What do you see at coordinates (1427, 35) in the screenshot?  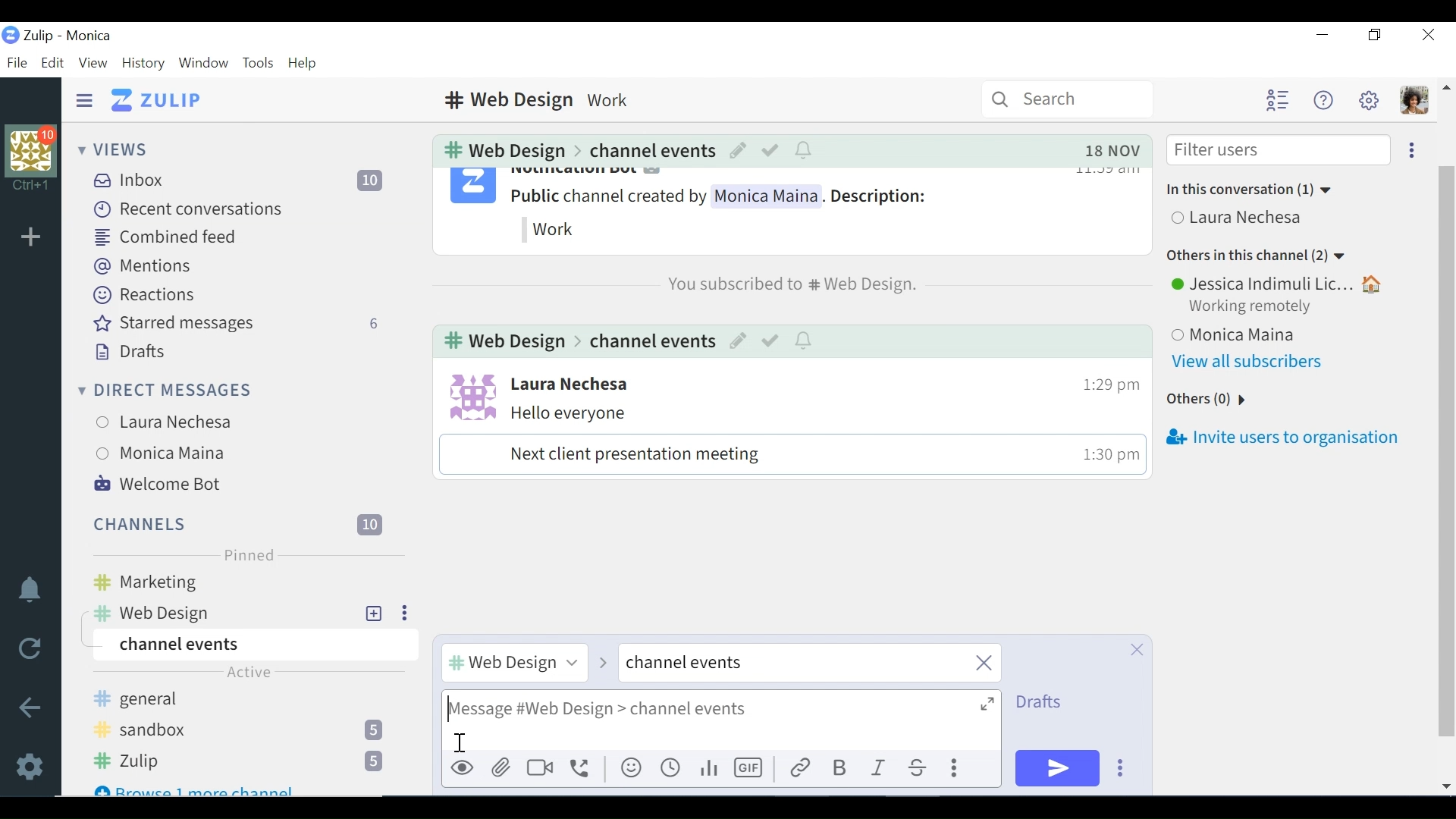 I see `Close` at bounding box center [1427, 35].